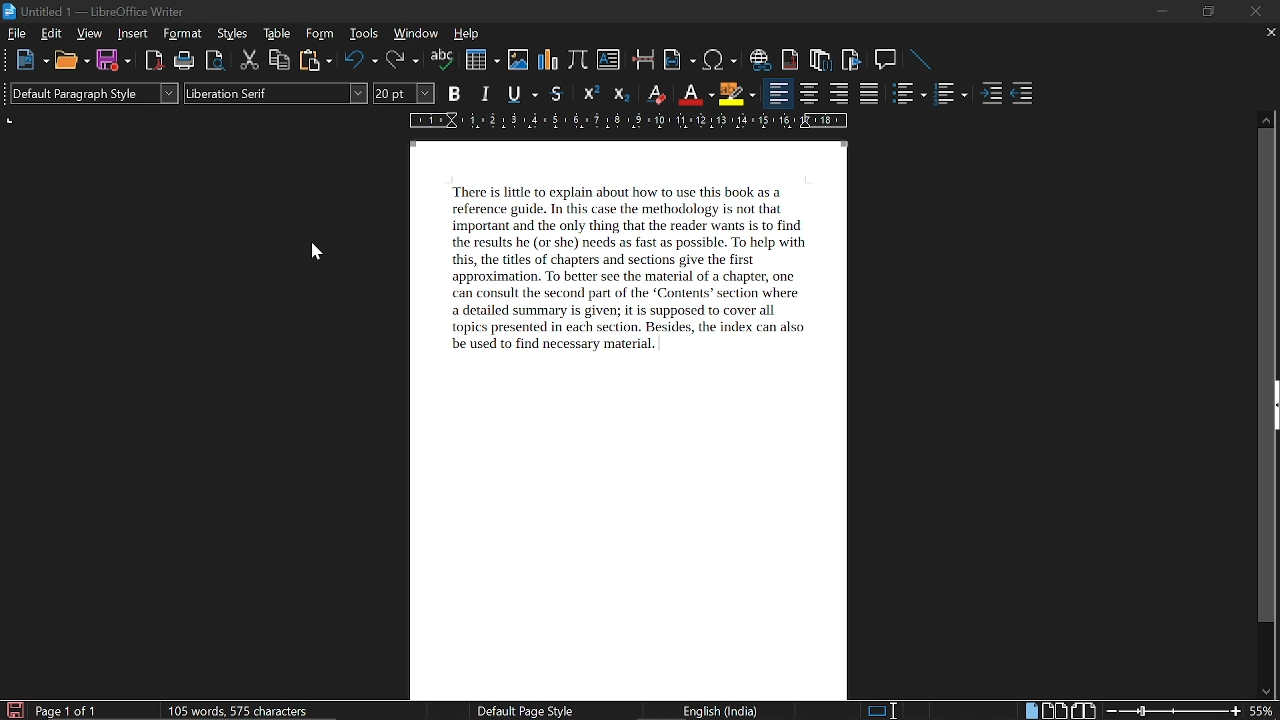 This screenshot has width=1280, height=720. I want to click on current page, so click(66, 711).